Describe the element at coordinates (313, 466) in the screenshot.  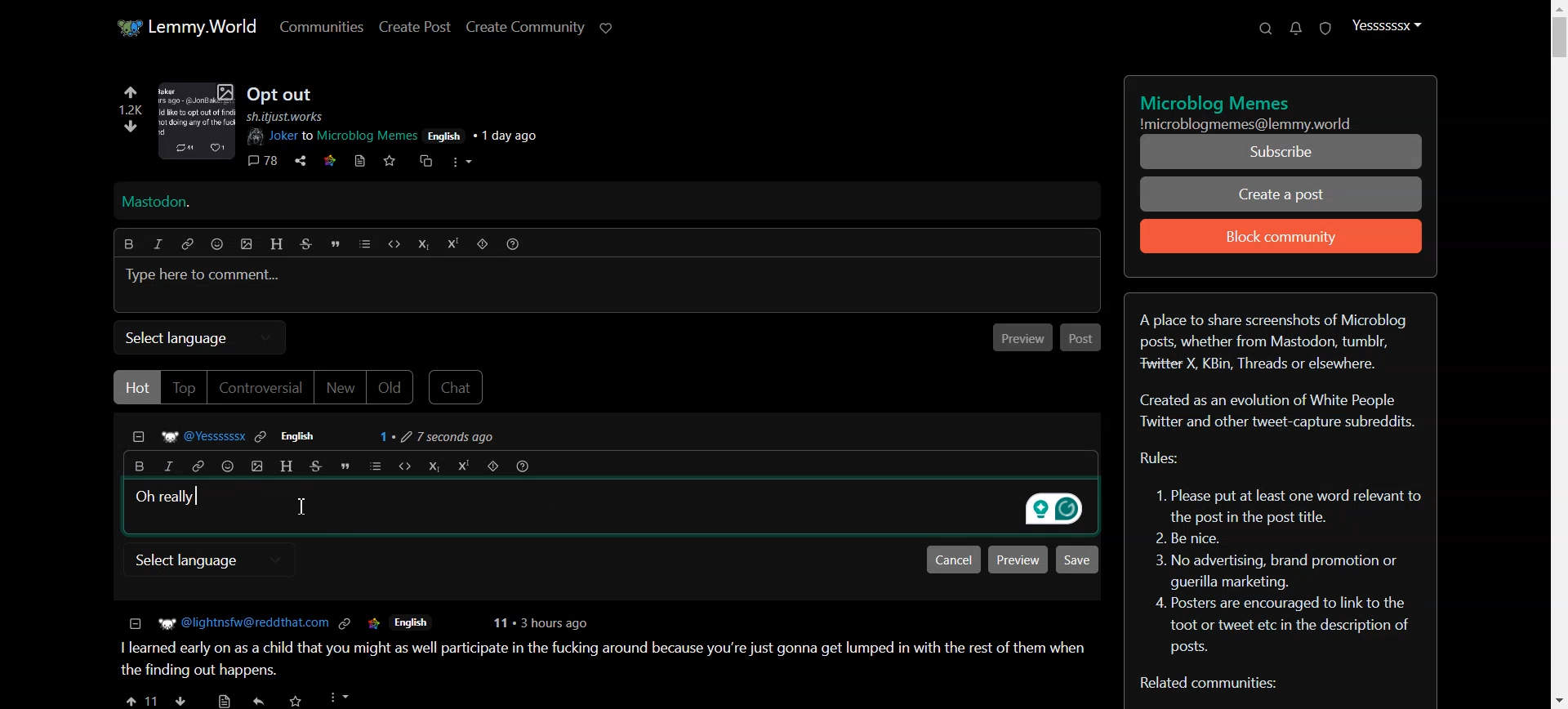
I see `Strikethrough` at that location.